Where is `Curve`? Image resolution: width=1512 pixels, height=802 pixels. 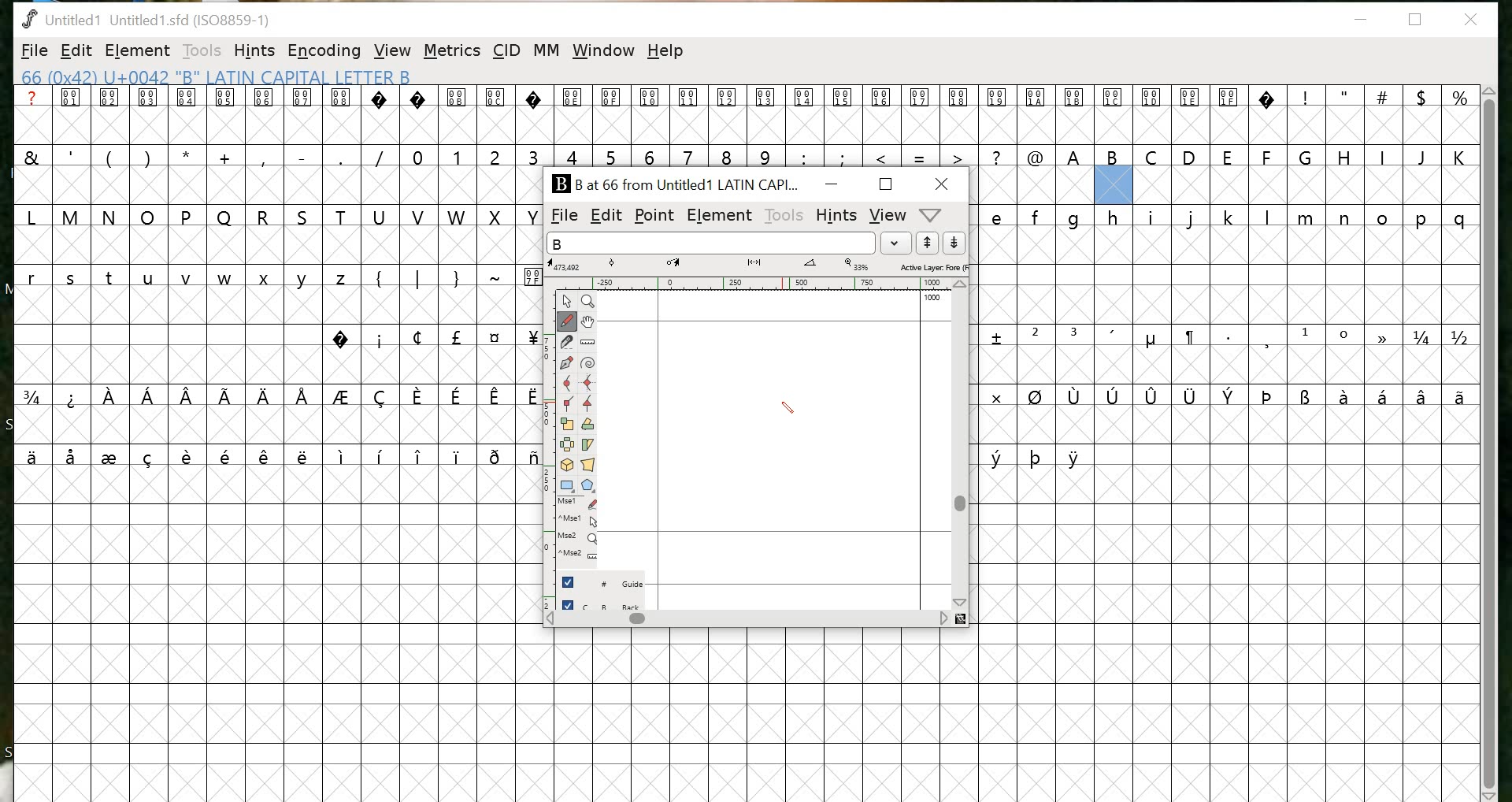 Curve is located at coordinates (569, 384).